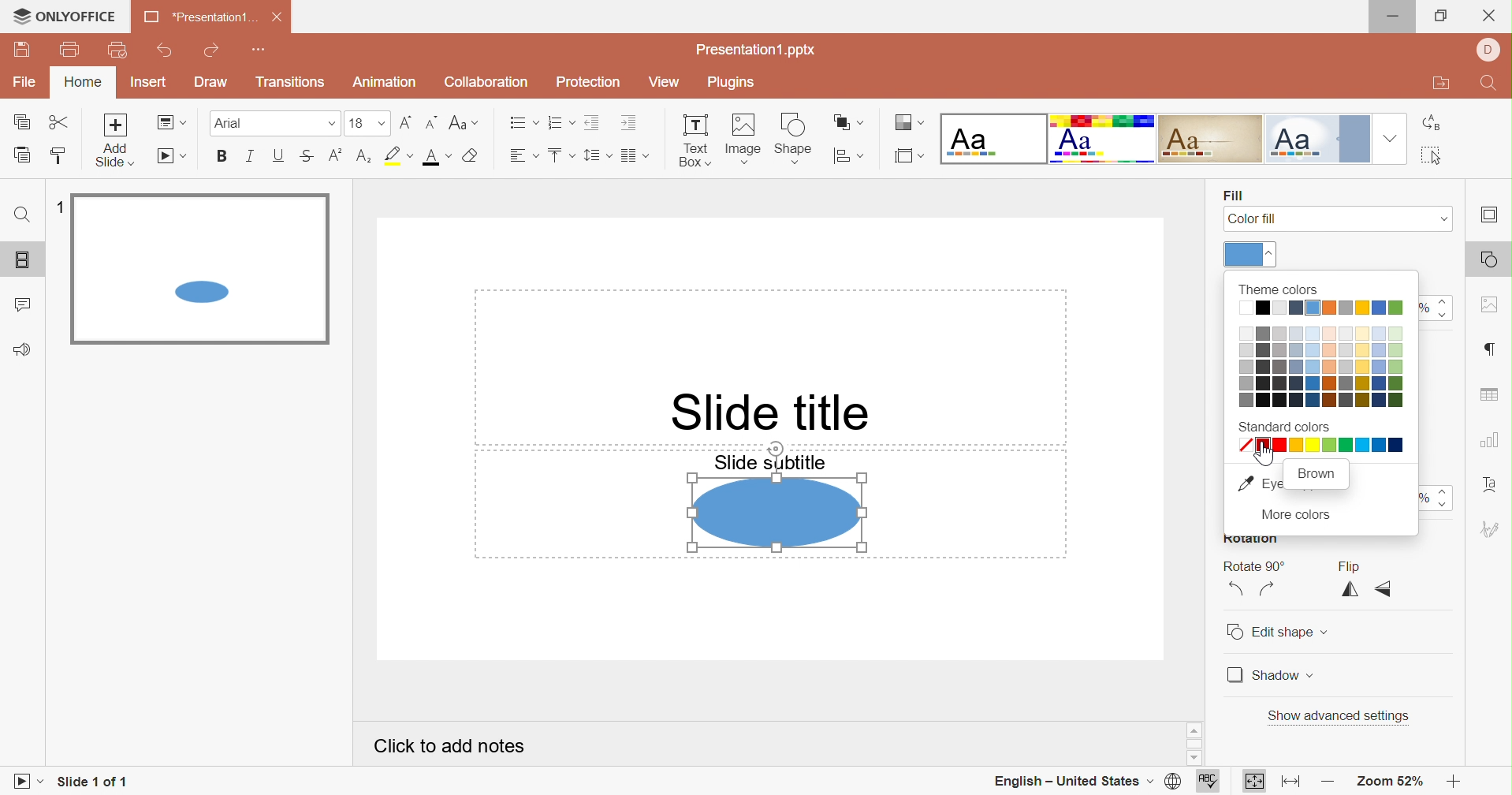 This screenshot has width=1512, height=795. What do you see at coordinates (462, 125) in the screenshot?
I see `Change case` at bounding box center [462, 125].